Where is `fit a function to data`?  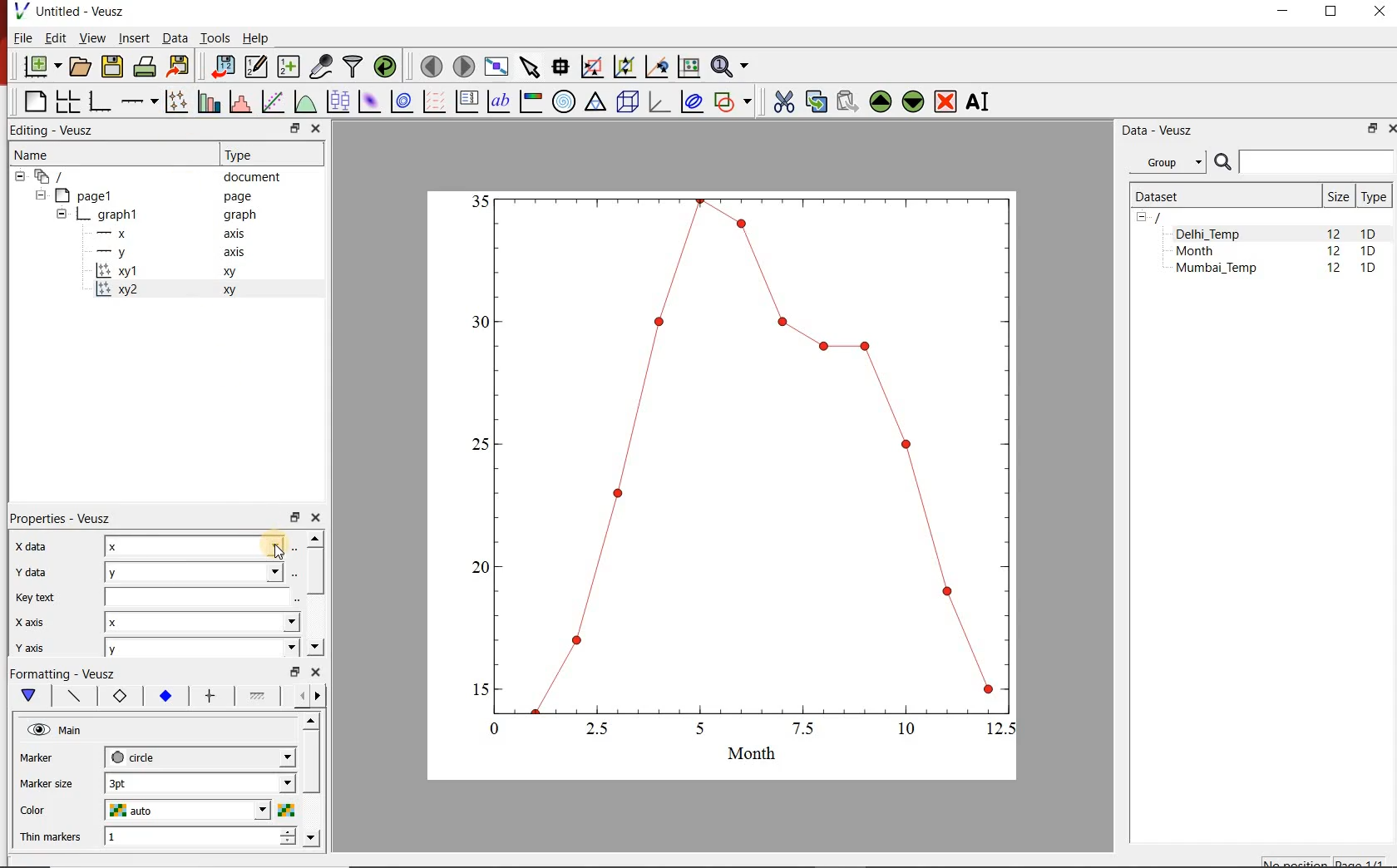 fit a function to data is located at coordinates (272, 101).